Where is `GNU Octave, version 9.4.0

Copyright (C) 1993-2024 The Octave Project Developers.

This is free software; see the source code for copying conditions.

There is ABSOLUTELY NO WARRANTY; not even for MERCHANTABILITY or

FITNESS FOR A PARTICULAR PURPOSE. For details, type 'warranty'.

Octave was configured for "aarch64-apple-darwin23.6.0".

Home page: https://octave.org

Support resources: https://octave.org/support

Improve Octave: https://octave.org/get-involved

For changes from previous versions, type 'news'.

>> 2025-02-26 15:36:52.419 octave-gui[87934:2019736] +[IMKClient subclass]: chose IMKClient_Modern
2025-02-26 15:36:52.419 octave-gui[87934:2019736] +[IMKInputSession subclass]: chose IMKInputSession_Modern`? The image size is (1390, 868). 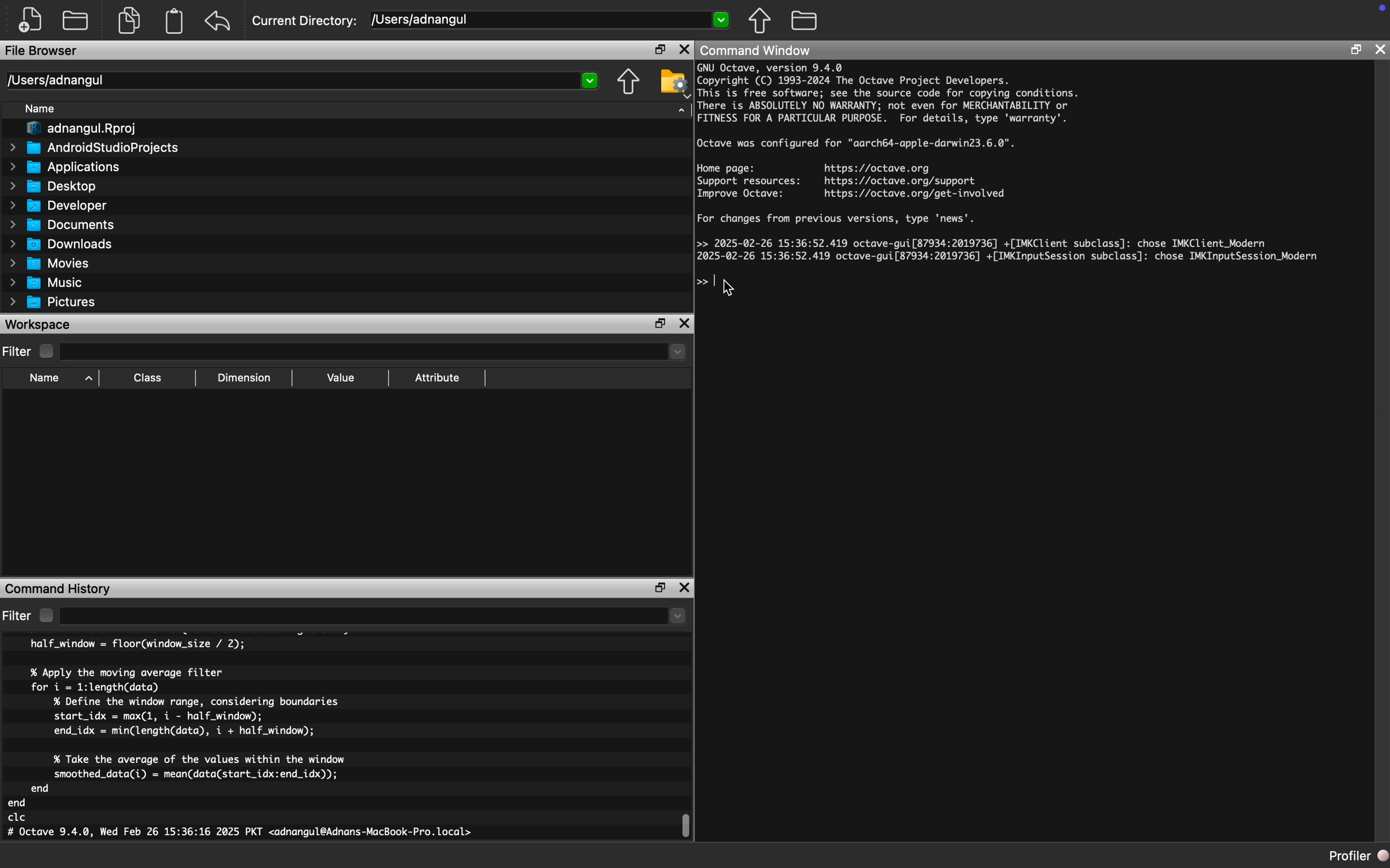
GNU Octave, version 9.4.0

Copyright (C) 1993-2024 The Octave Project Developers.

This is free software; see the source code for copying conditions.

There is ABSOLUTELY NO WARRANTY; not even for MERCHANTABILITY or

FITNESS FOR A PARTICULAR PURPOSE. For details, type 'warranty'.

Octave was configured for "aarch64-apple-darwin23.6.0".

Home page: https://octave.org

Support resources: https://octave.org/support

Improve Octave: https://octave.org/get-involved

For changes from previous versions, type 'news'.

>> 2025-02-26 15:36:52.419 octave-gui[87934:2019736] +[IMKClient subclass]: chose IMKClient_Modern
2025-02-26 15:36:52.419 octave-gui[87934:2019736] +[IMKInputSession subclass]: chose IMKInputSession_Modern is located at coordinates (1011, 162).